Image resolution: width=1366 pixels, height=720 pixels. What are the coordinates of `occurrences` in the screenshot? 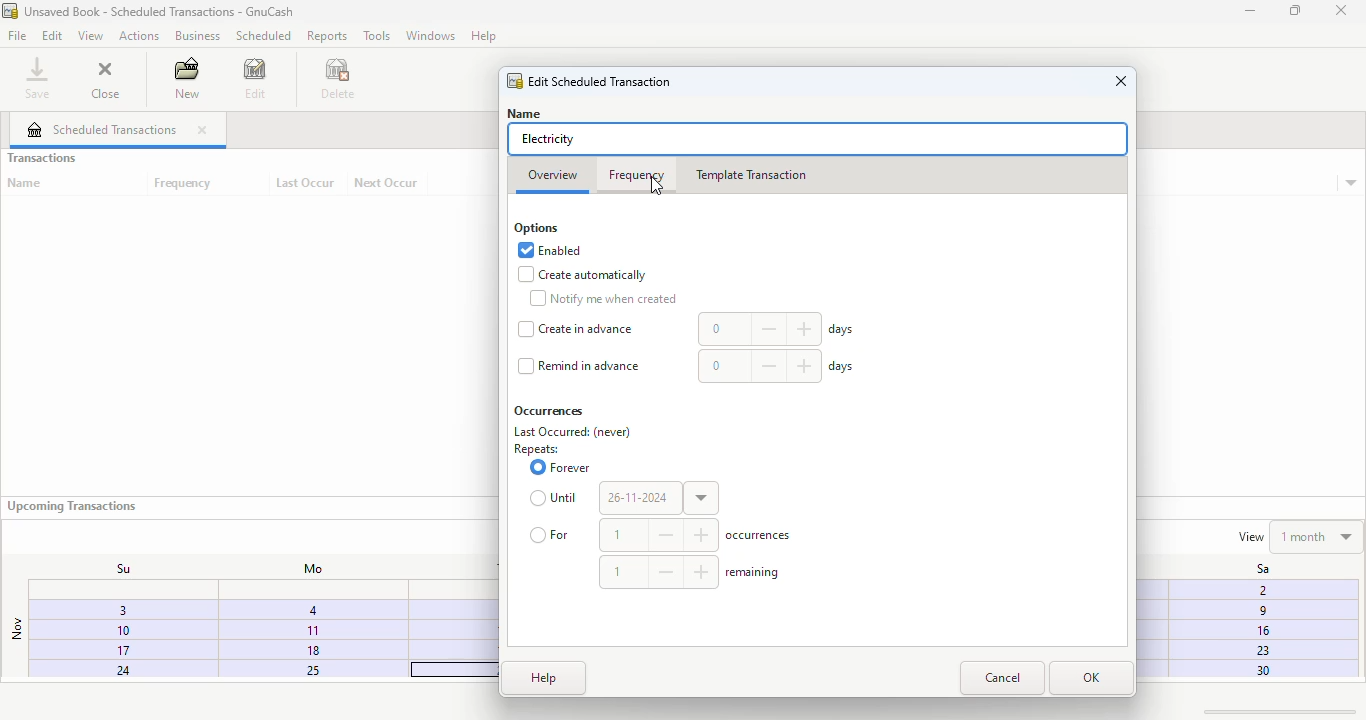 It's located at (549, 411).